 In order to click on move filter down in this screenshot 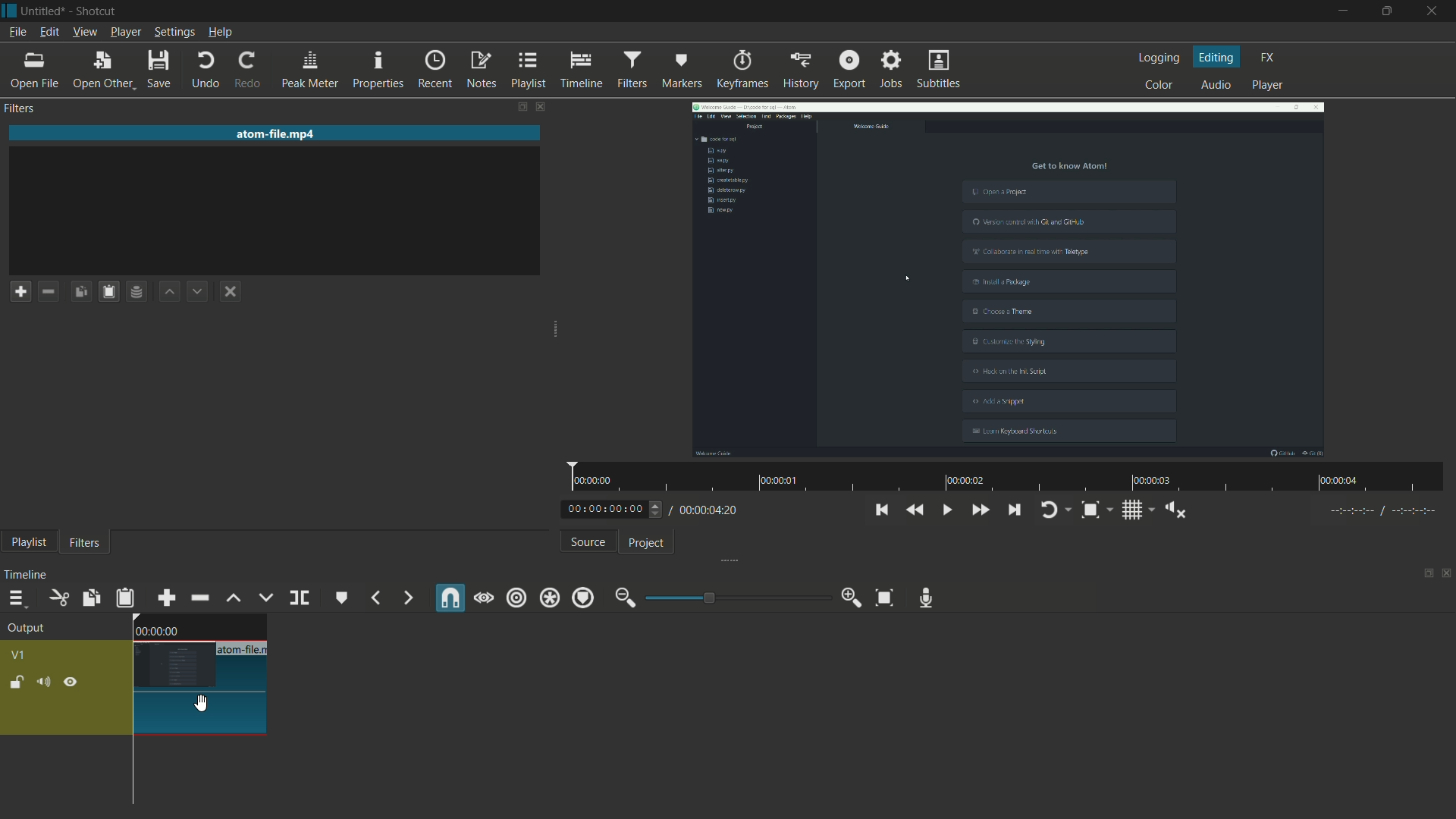, I will do `click(198, 293)`.